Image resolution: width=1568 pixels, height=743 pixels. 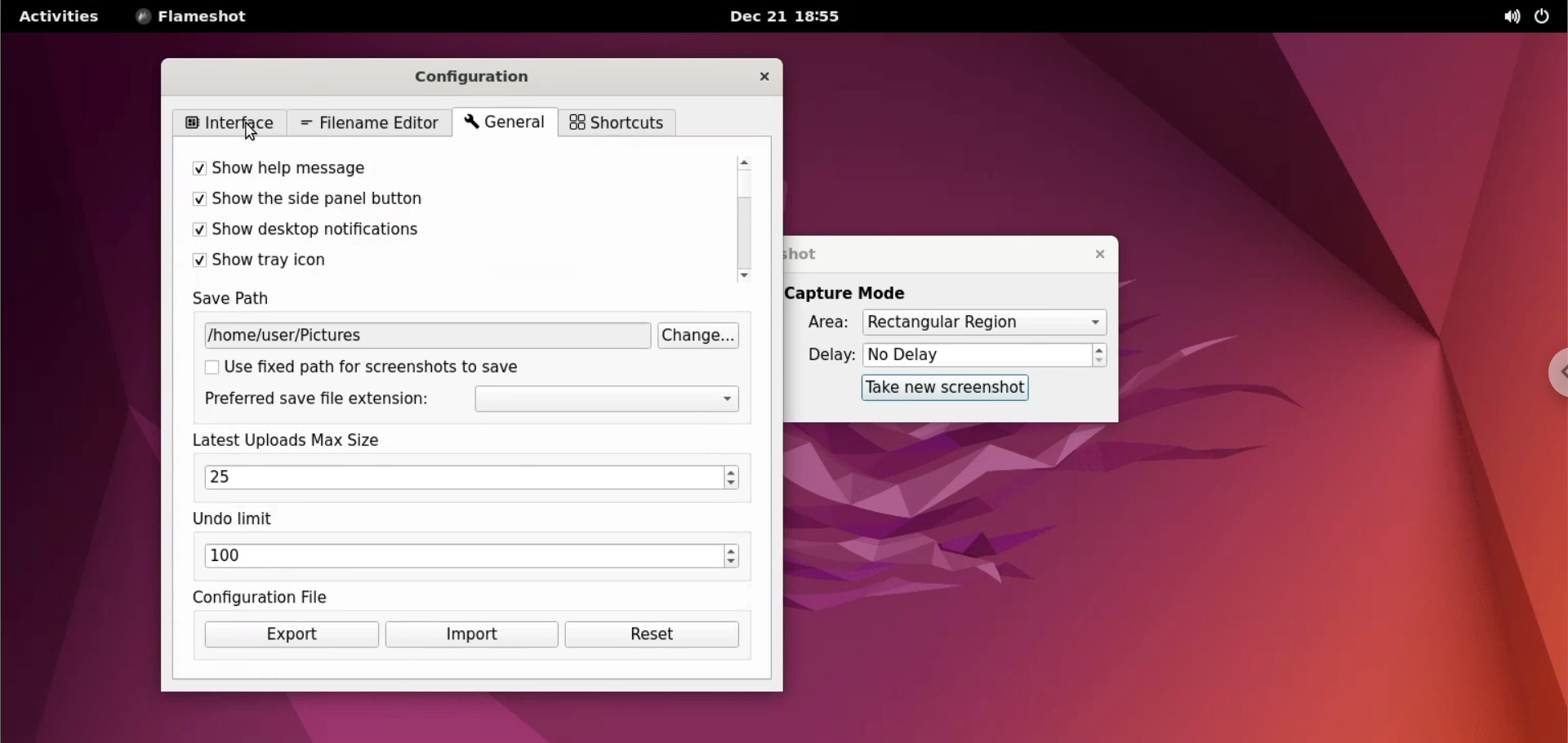 What do you see at coordinates (405, 263) in the screenshot?
I see `show tray icon` at bounding box center [405, 263].